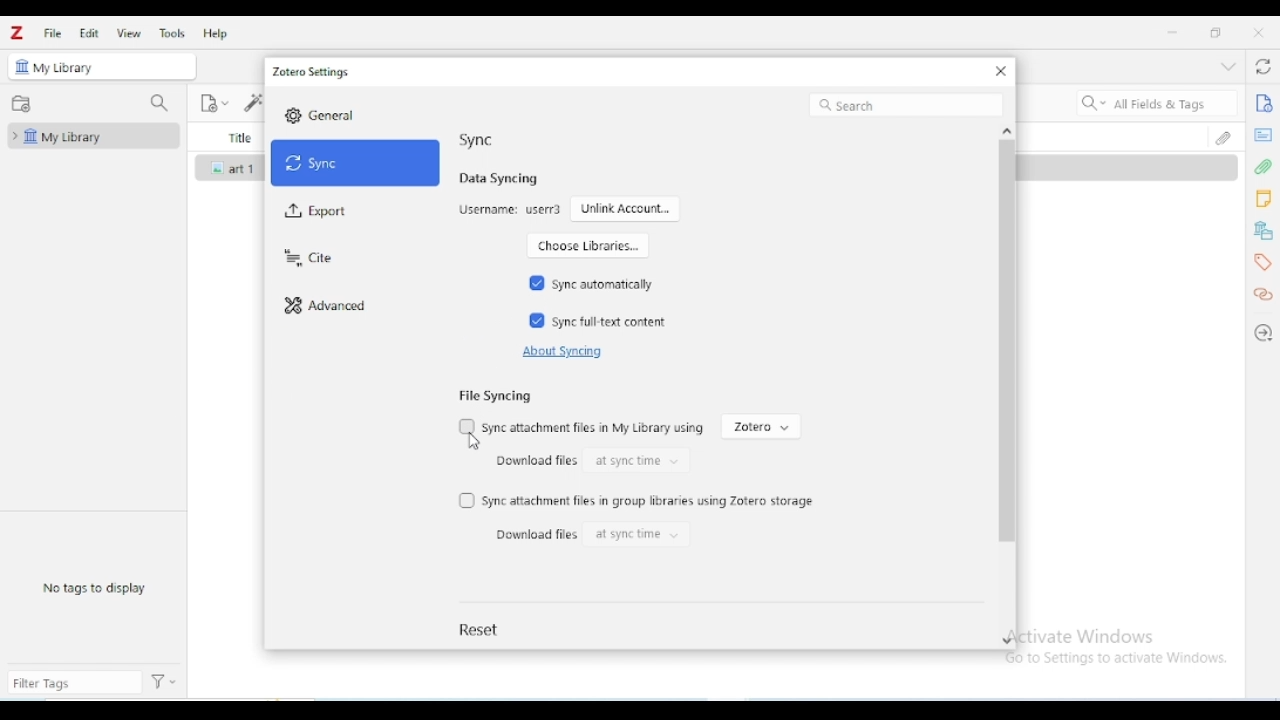 The image size is (1280, 720). Describe the element at coordinates (1264, 333) in the screenshot. I see `locate` at that location.